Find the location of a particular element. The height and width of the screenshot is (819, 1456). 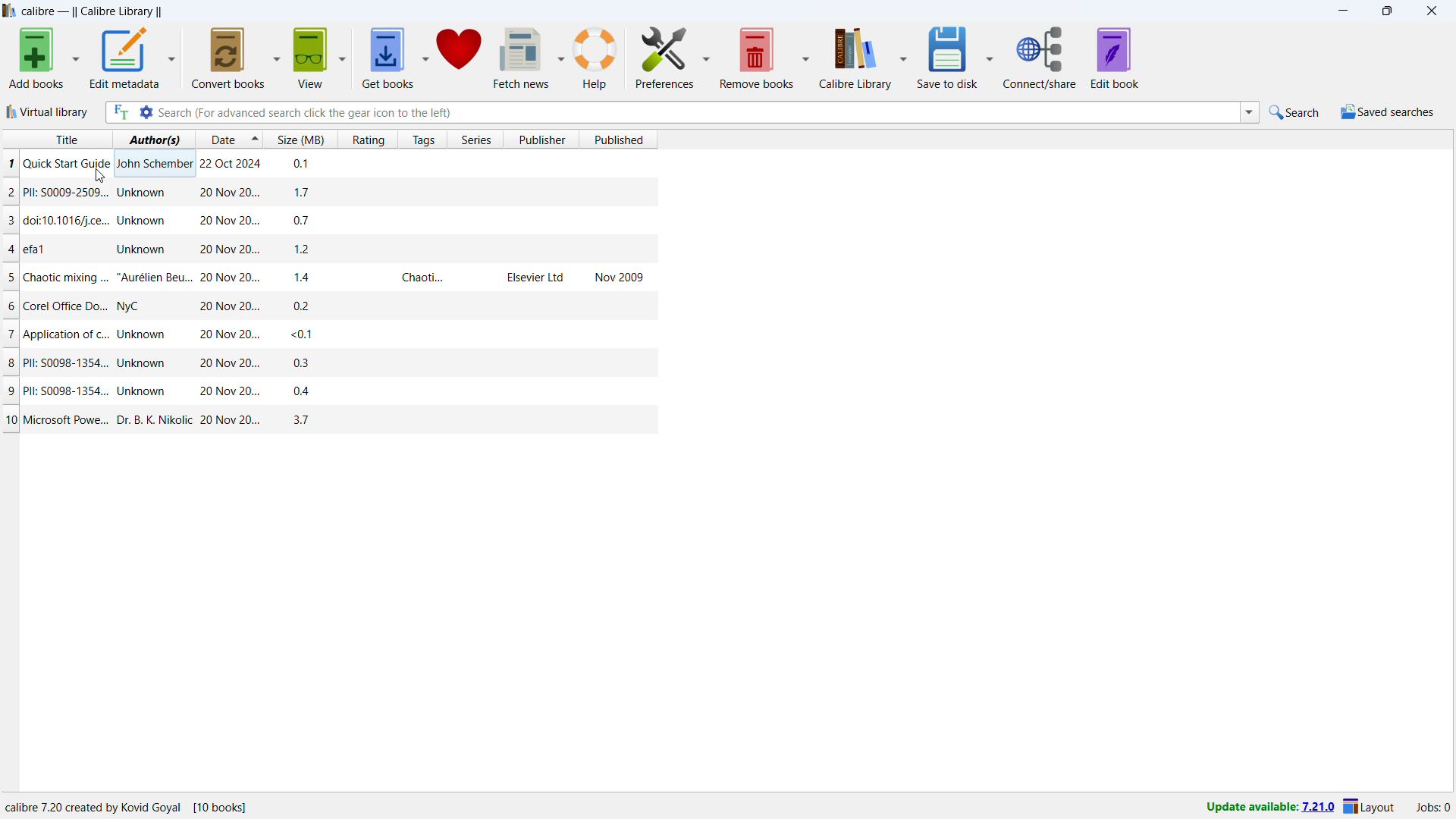

convert books options is located at coordinates (276, 57).